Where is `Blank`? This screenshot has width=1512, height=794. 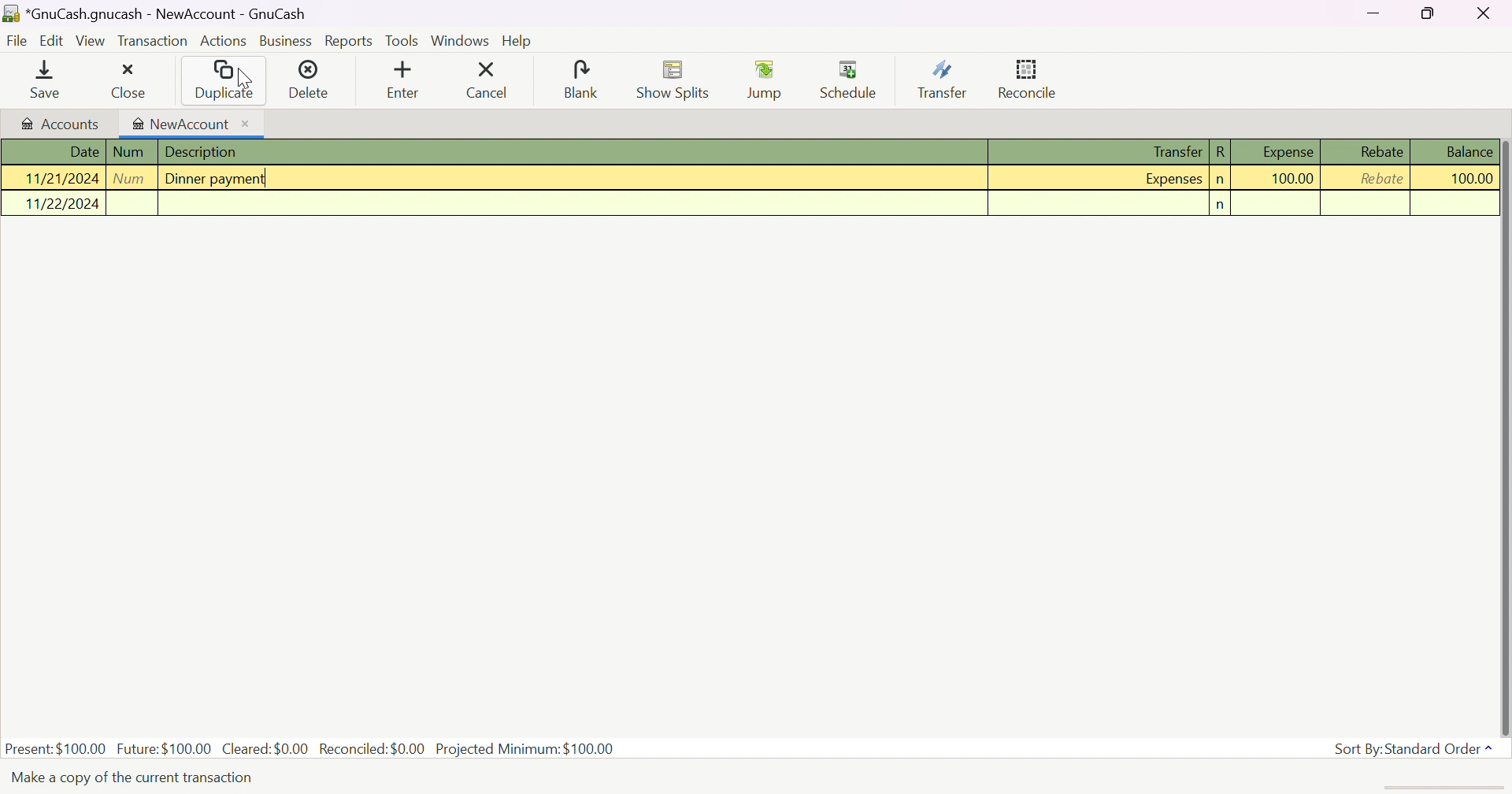 Blank is located at coordinates (578, 78).